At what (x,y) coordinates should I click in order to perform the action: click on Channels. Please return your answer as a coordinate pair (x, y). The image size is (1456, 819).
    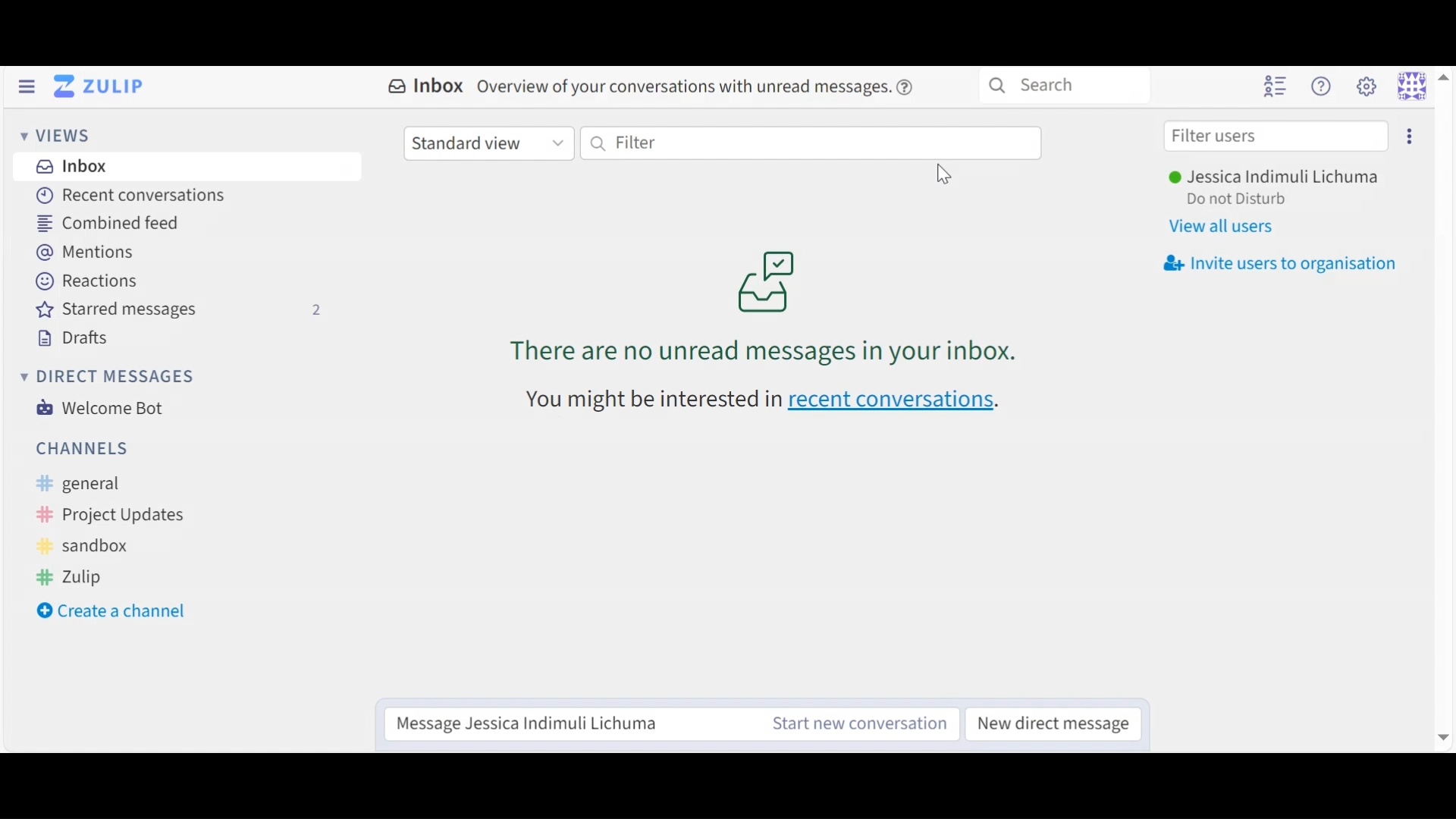
    Looking at the image, I should click on (83, 447).